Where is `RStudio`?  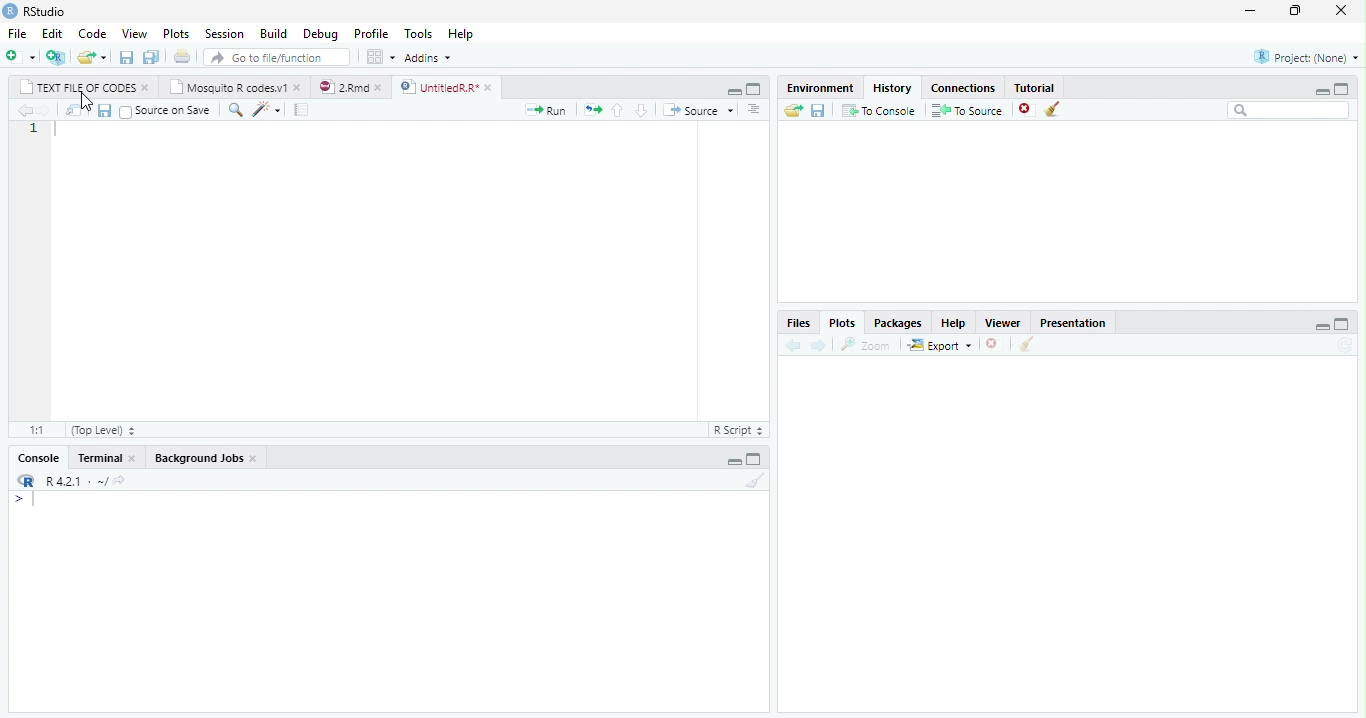 RStudio is located at coordinates (47, 11).